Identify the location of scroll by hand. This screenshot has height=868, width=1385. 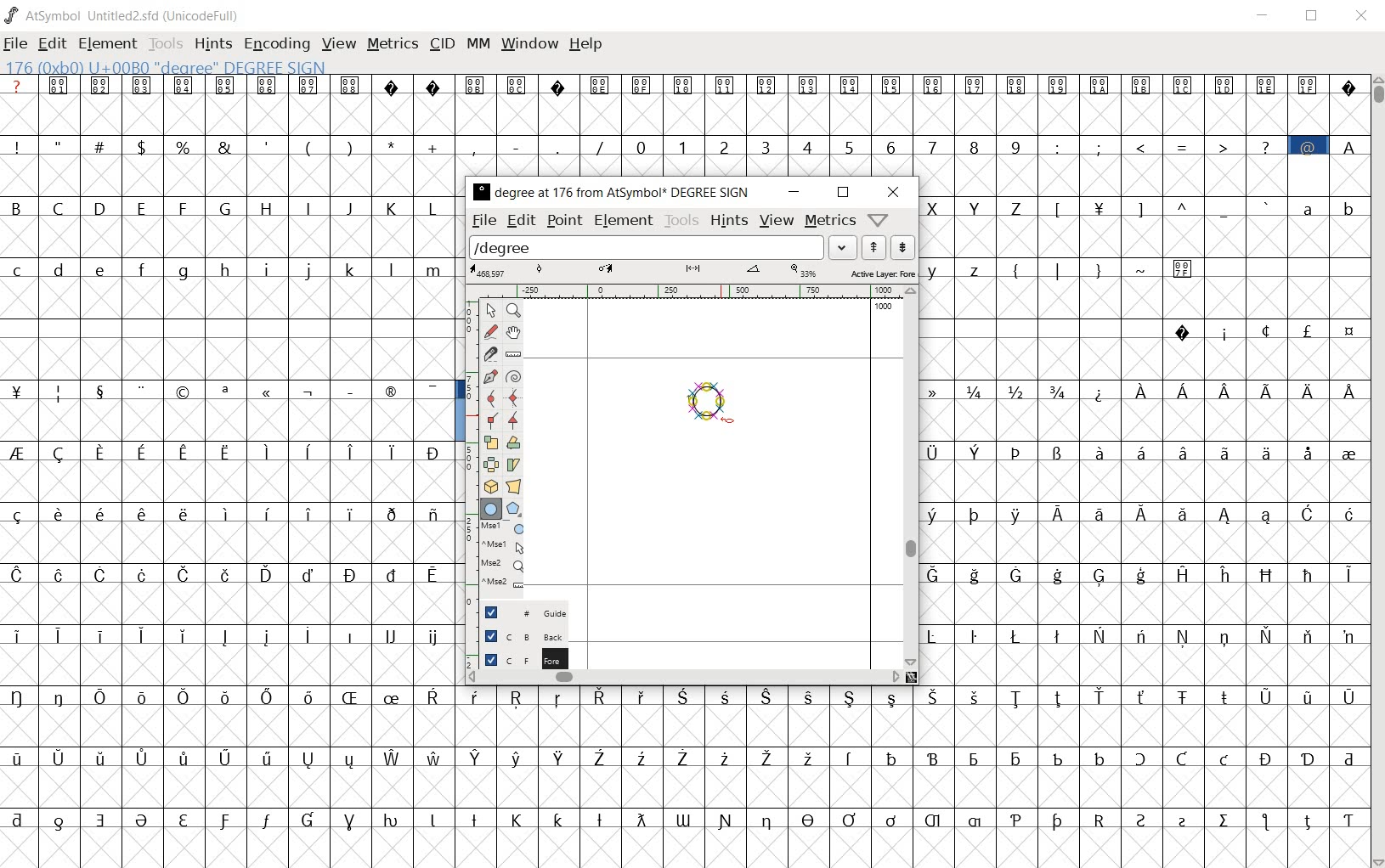
(512, 335).